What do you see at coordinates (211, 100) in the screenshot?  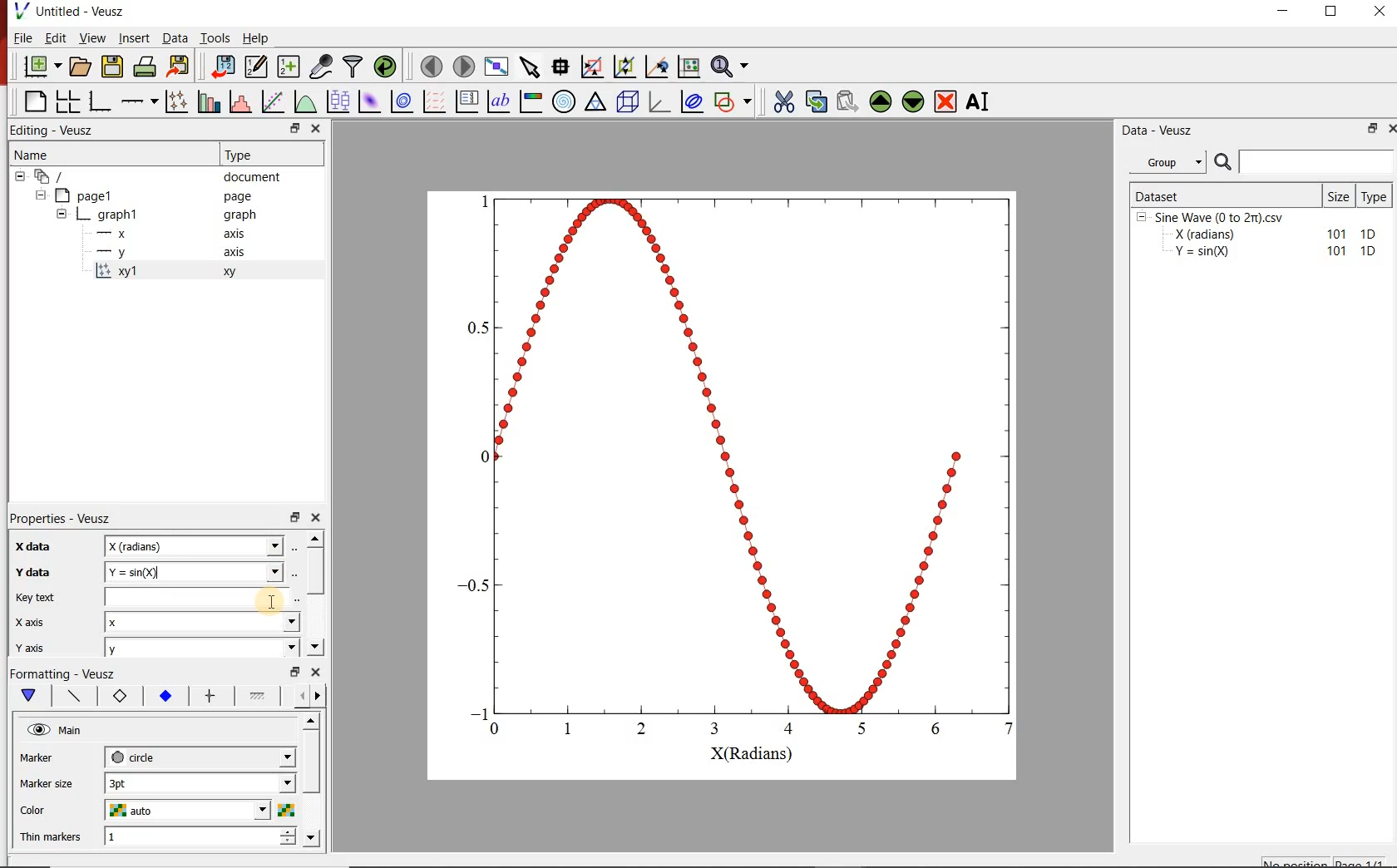 I see `plot bar charts` at bounding box center [211, 100].